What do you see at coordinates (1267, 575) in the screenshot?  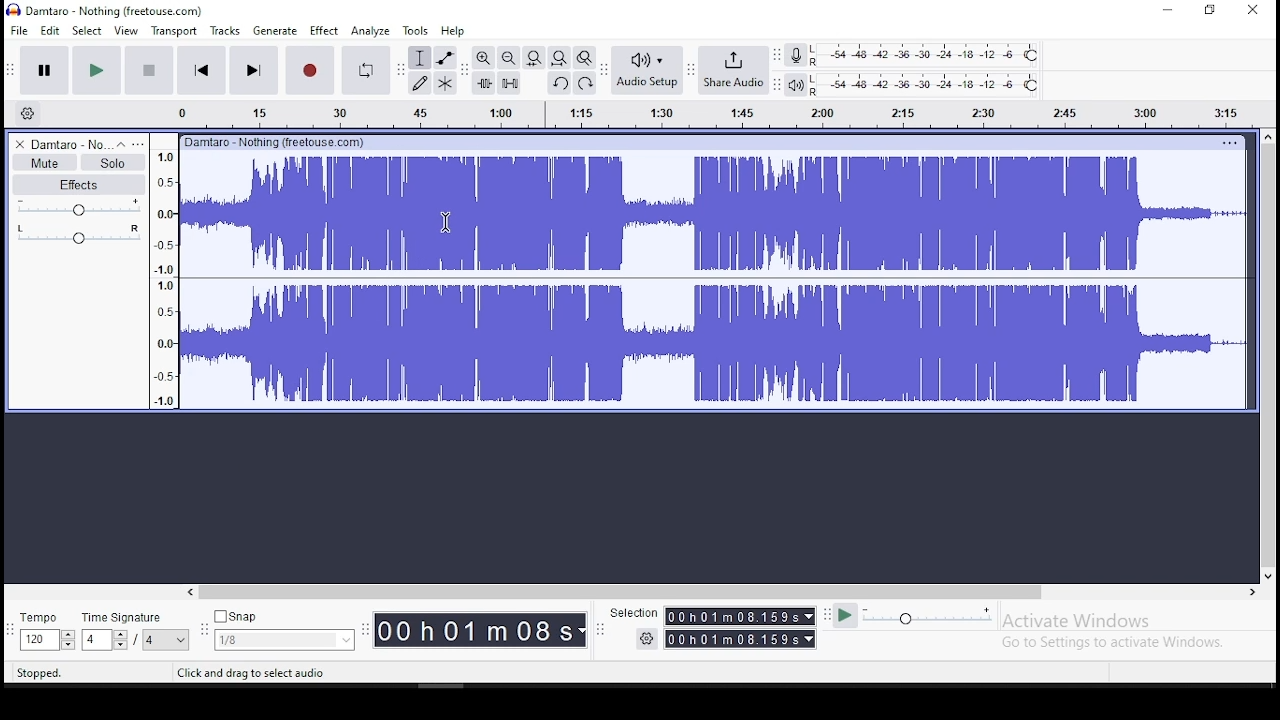 I see `down` at bounding box center [1267, 575].